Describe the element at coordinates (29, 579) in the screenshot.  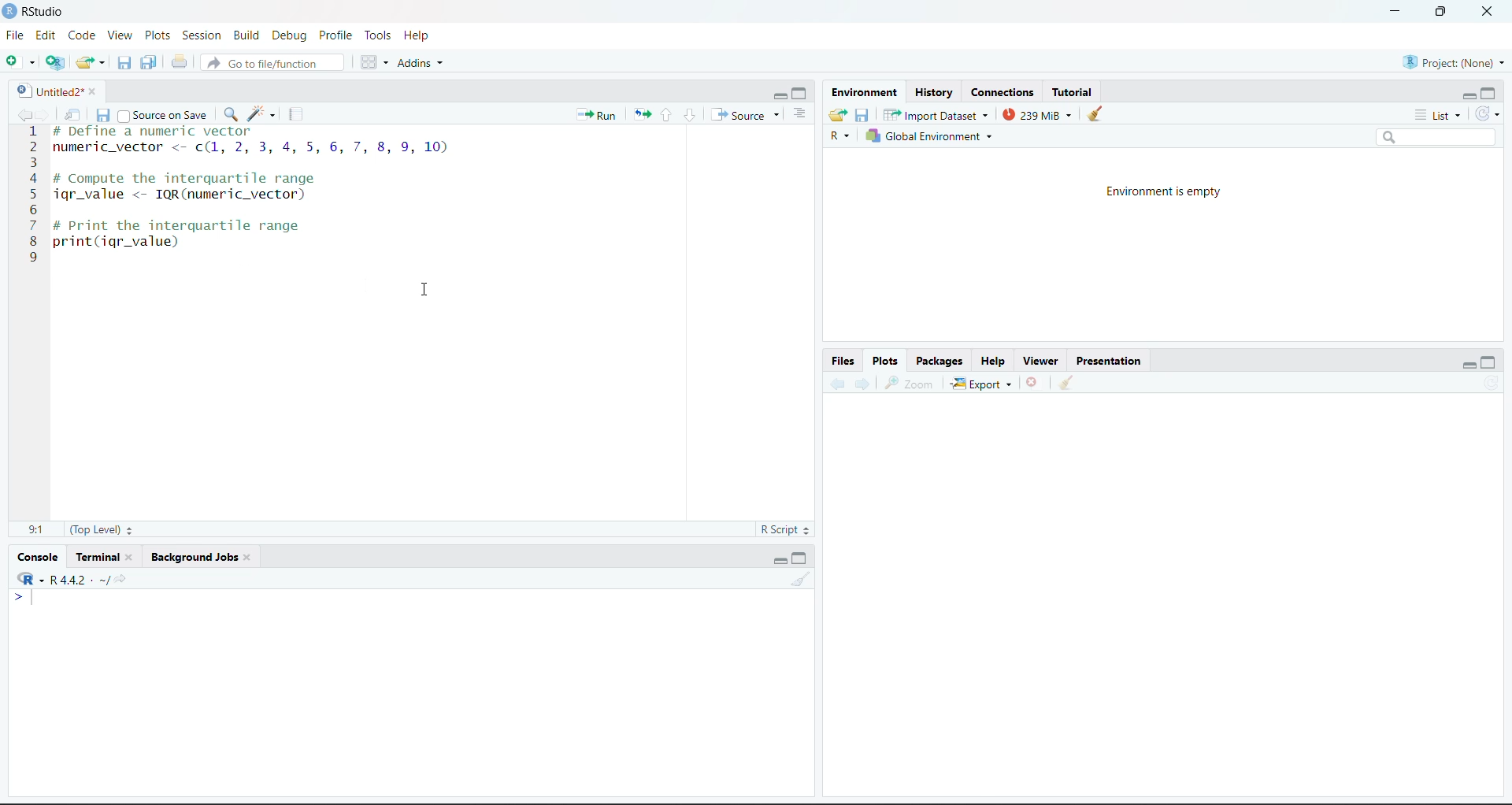
I see `R` at that location.